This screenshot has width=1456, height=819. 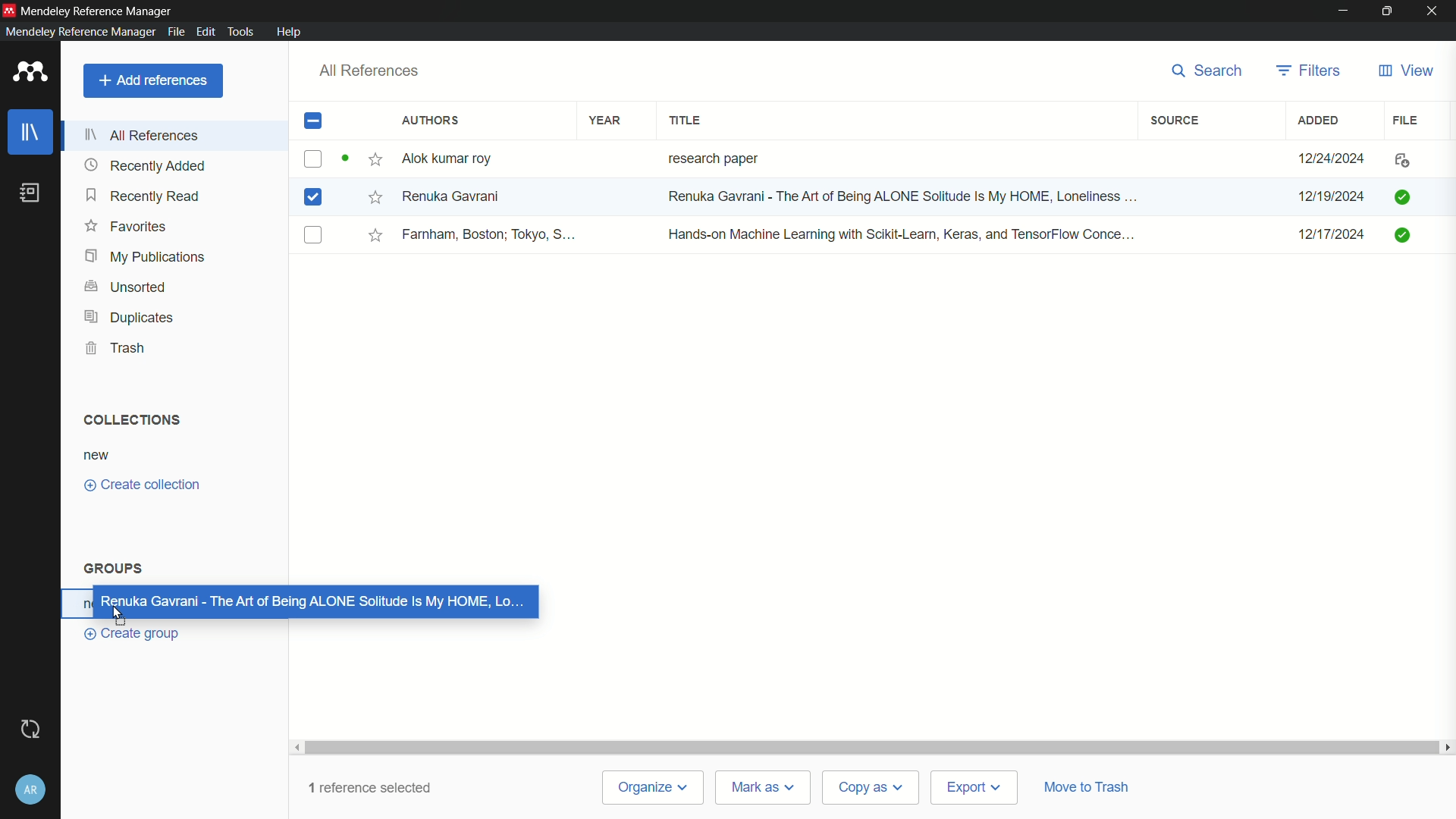 What do you see at coordinates (1398, 162) in the screenshot?
I see `download` at bounding box center [1398, 162].